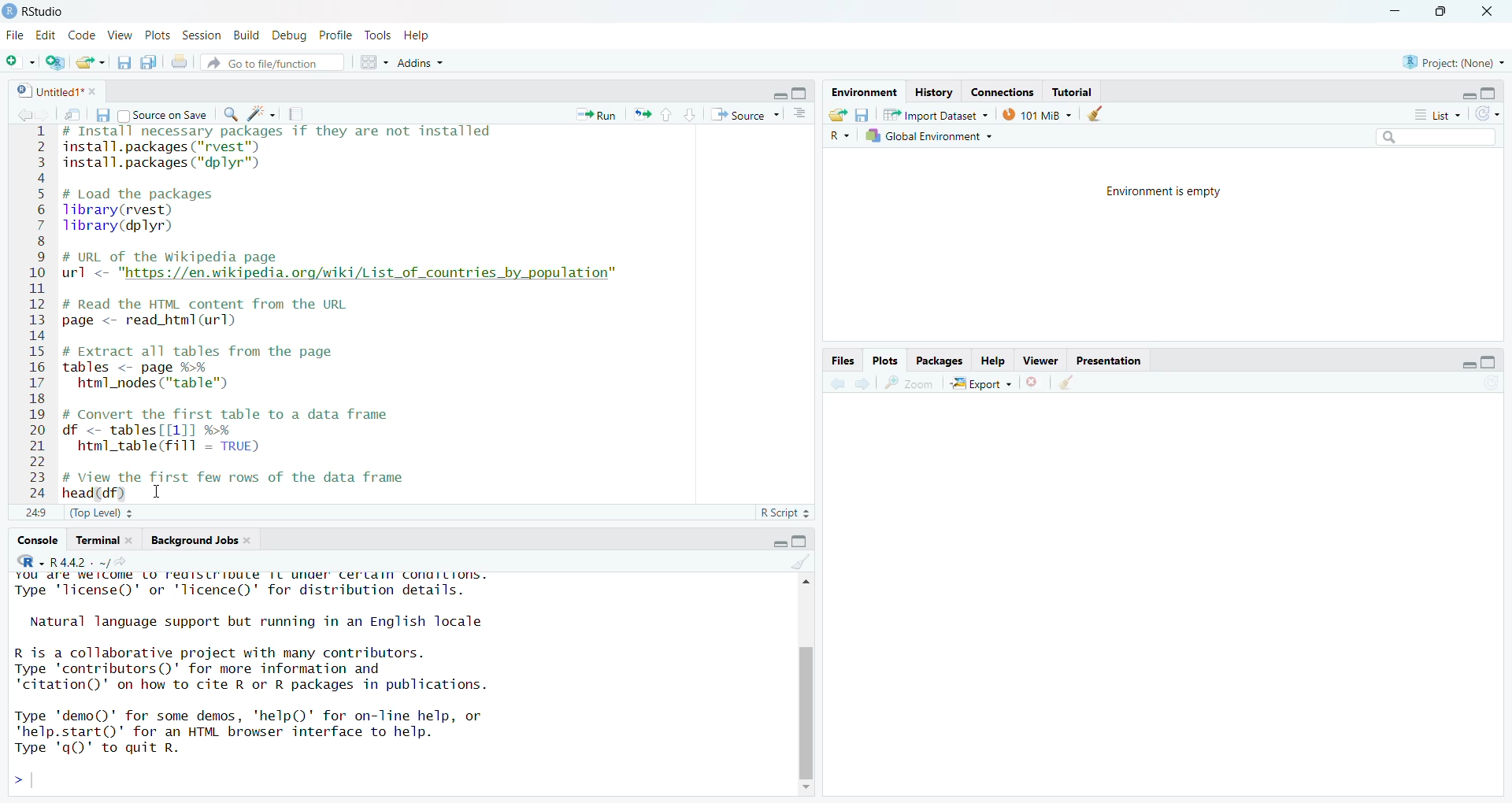 This screenshot has height=803, width=1512. What do you see at coordinates (24, 781) in the screenshot?
I see `start typing` at bounding box center [24, 781].